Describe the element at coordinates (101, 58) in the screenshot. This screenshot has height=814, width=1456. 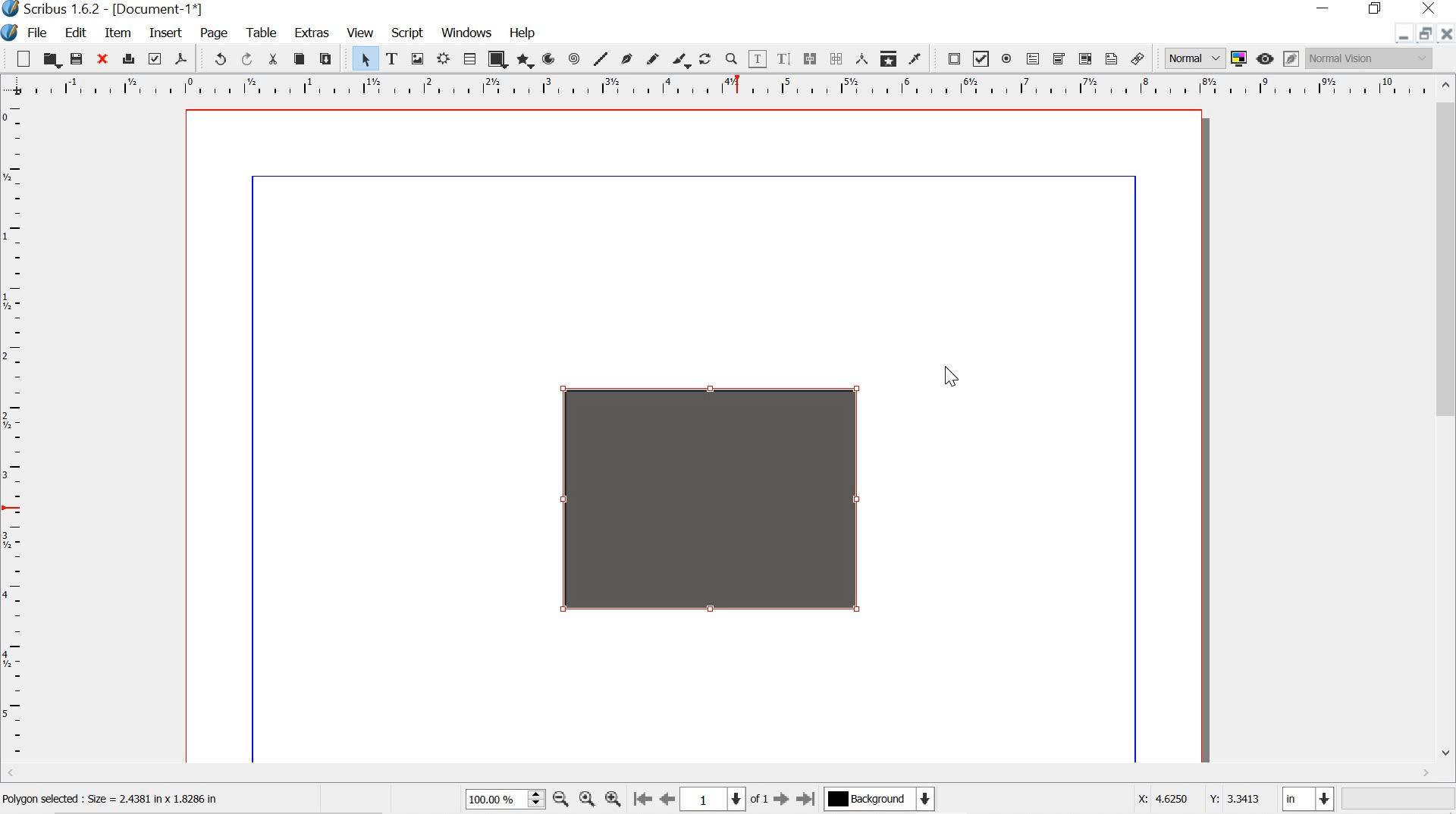
I see `close` at that location.